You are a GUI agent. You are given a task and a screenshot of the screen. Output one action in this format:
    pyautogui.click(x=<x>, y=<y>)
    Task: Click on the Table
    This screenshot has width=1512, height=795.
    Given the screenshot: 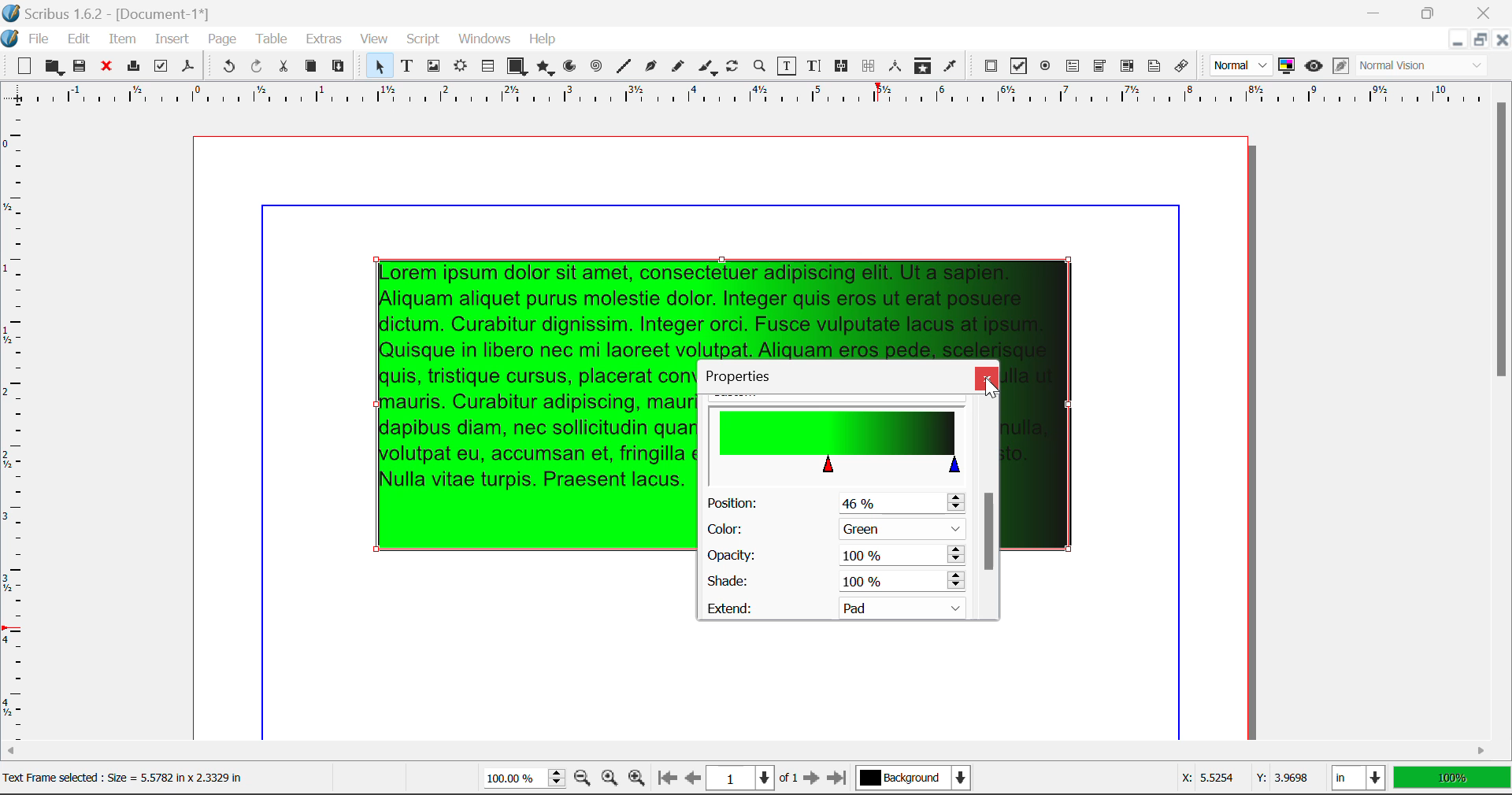 What is the action you would take?
    pyautogui.click(x=270, y=40)
    